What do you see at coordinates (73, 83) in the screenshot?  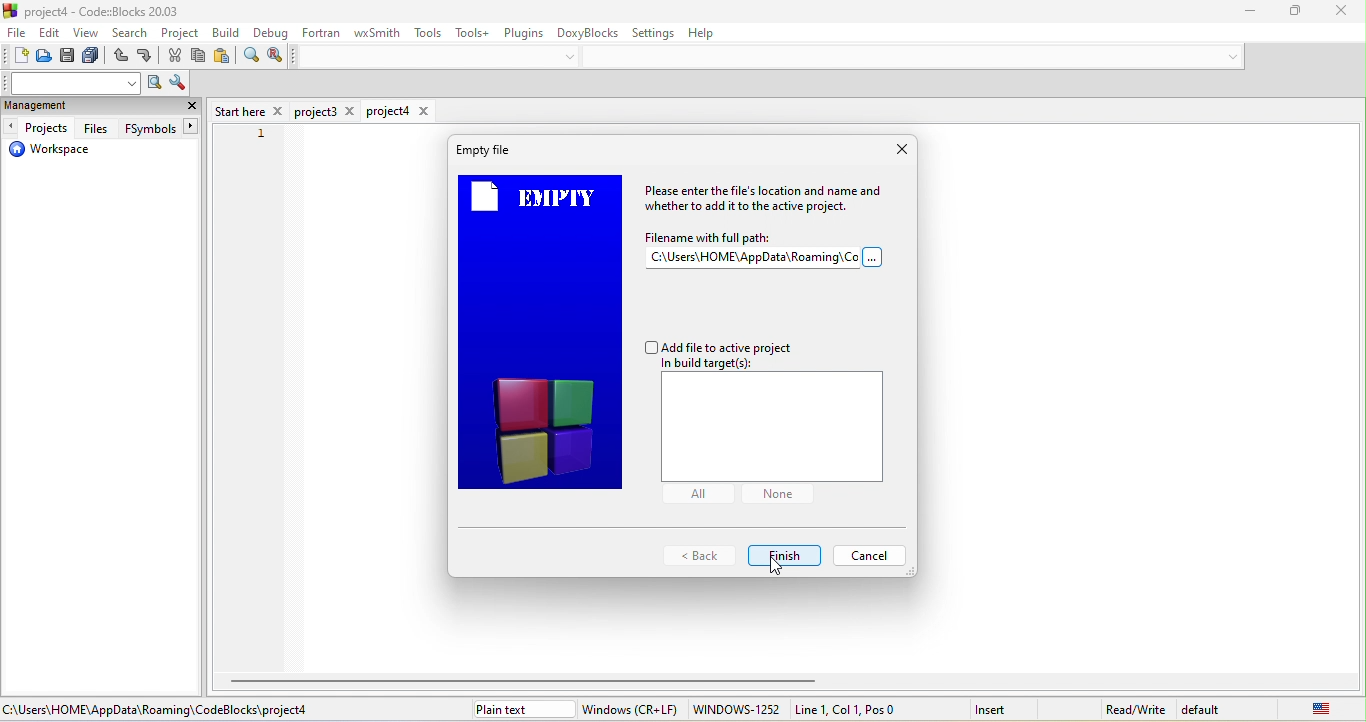 I see `text to search` at bounding box center [73, 83].